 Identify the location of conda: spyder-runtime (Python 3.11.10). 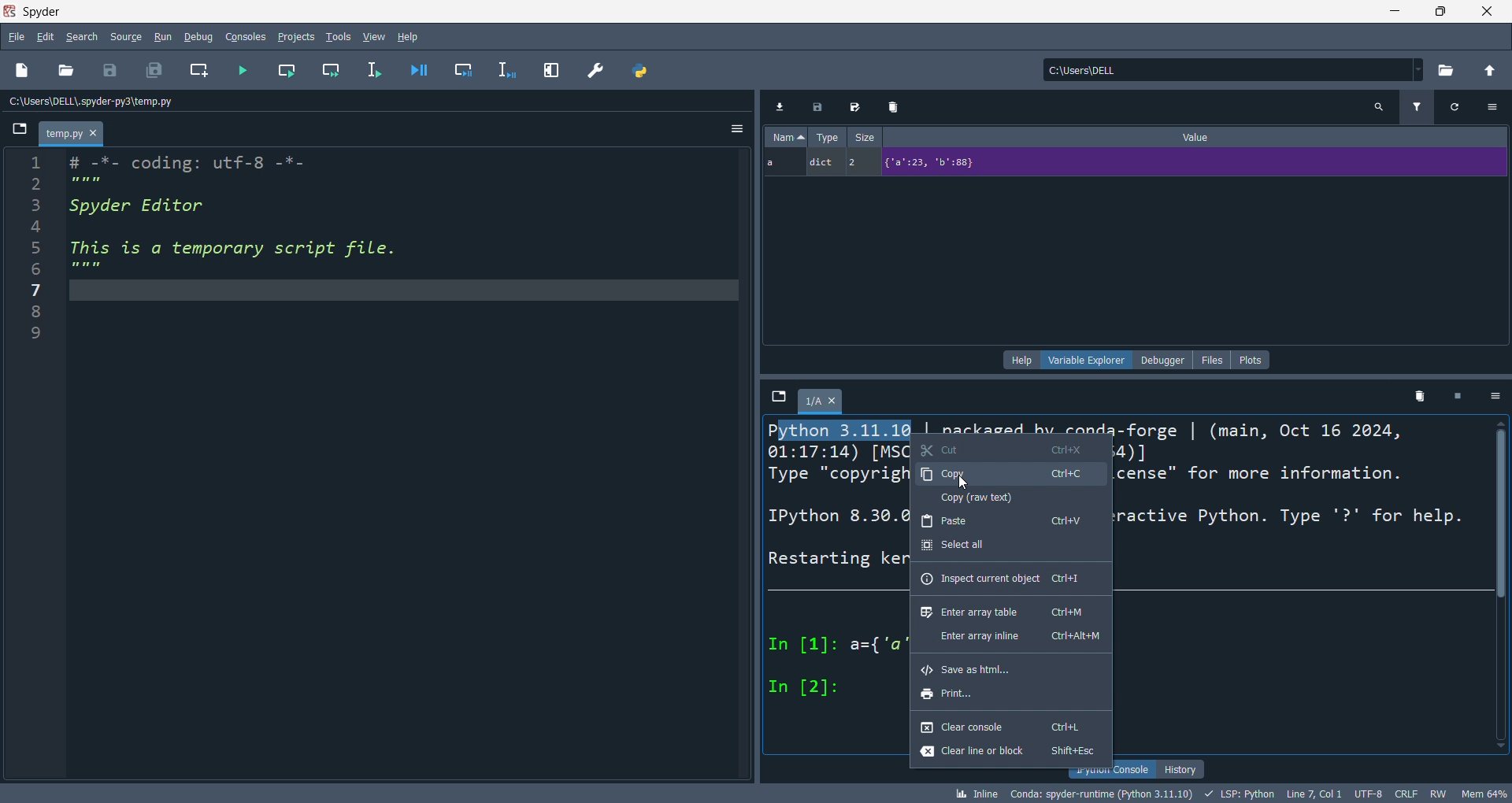
(1098, 795).